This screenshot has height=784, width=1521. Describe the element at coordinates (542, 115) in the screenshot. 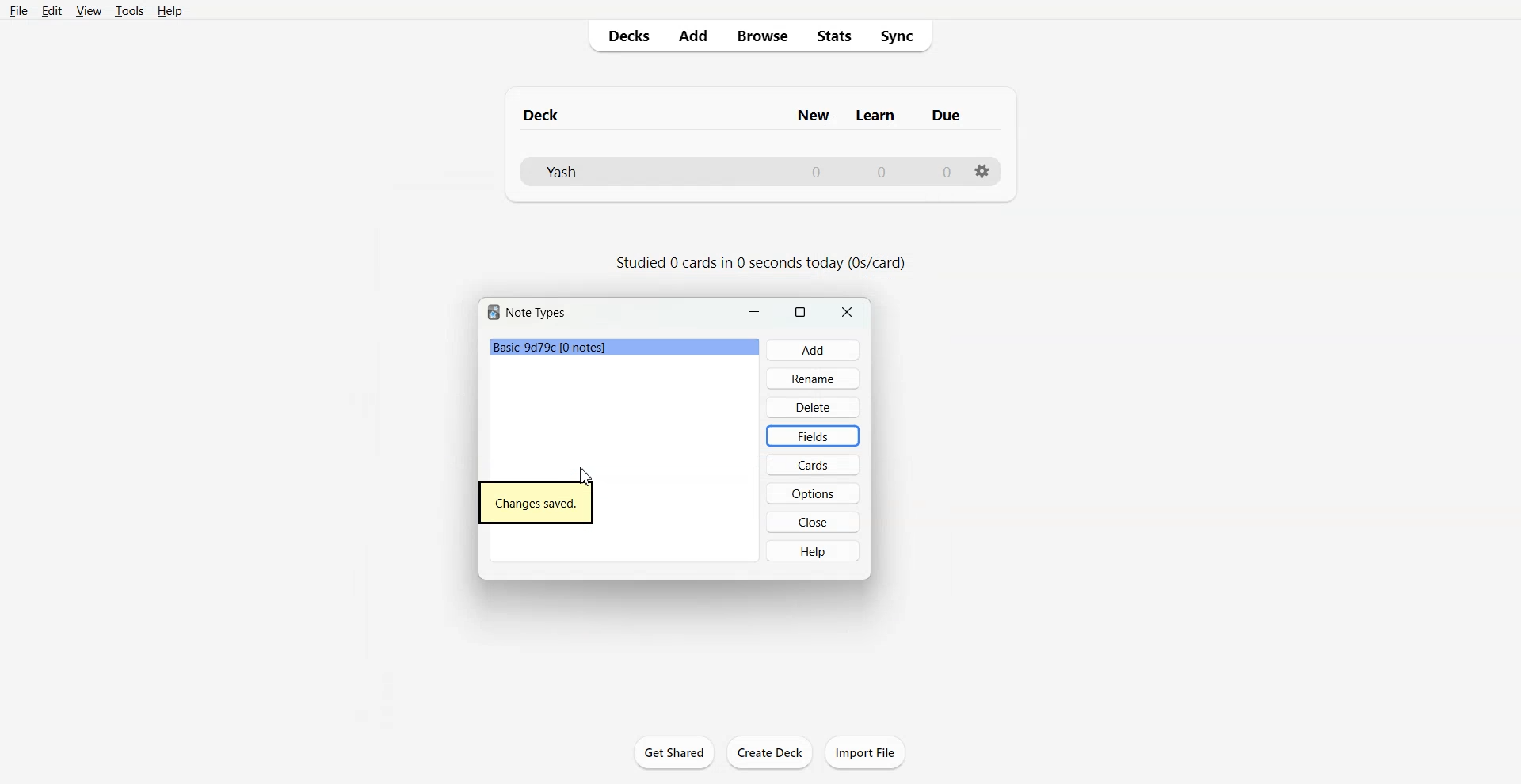

I see `Text 1` at that location.